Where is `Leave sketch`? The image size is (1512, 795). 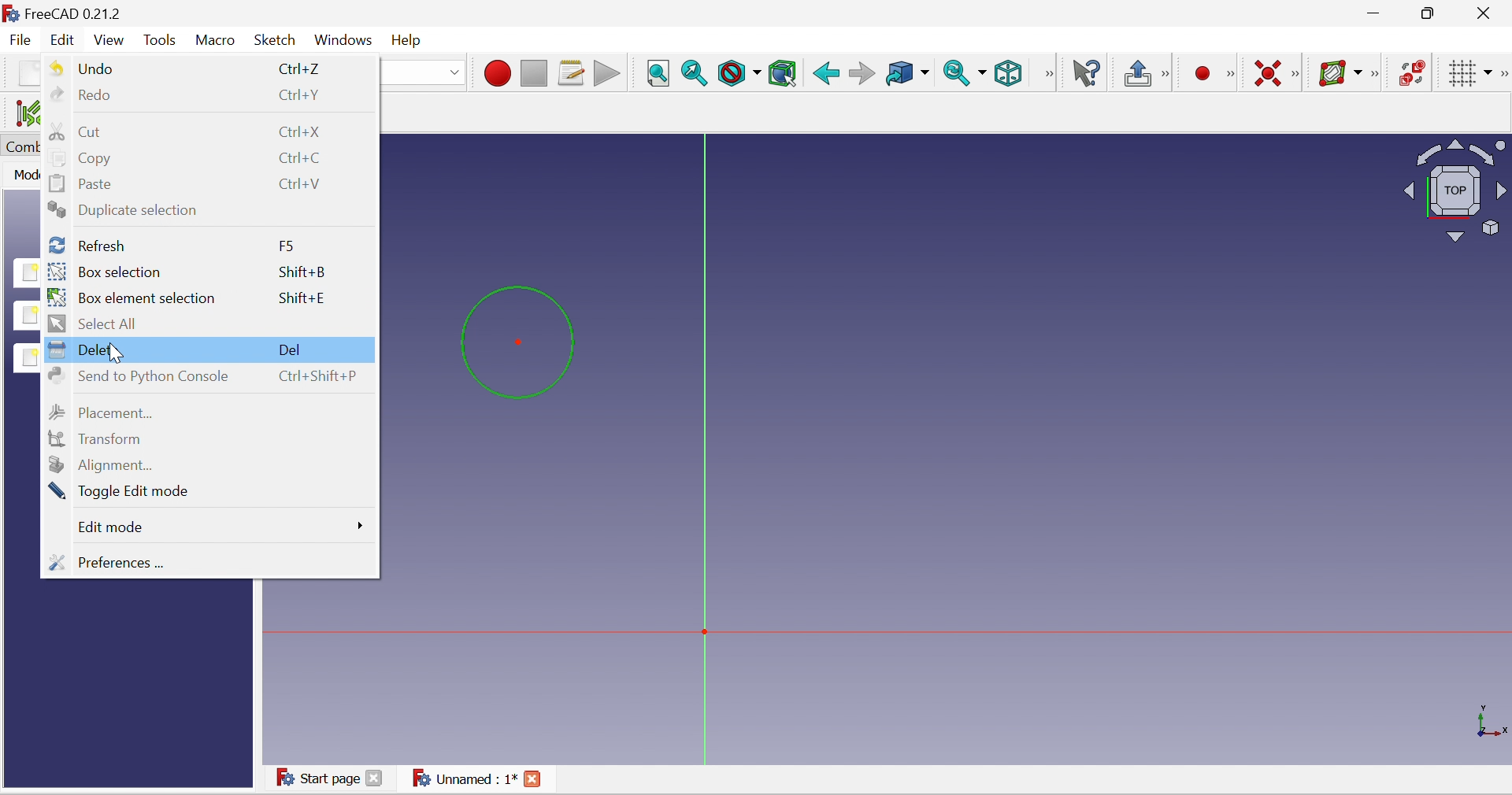 Leave sketch is located at coordinates (1138, 72).